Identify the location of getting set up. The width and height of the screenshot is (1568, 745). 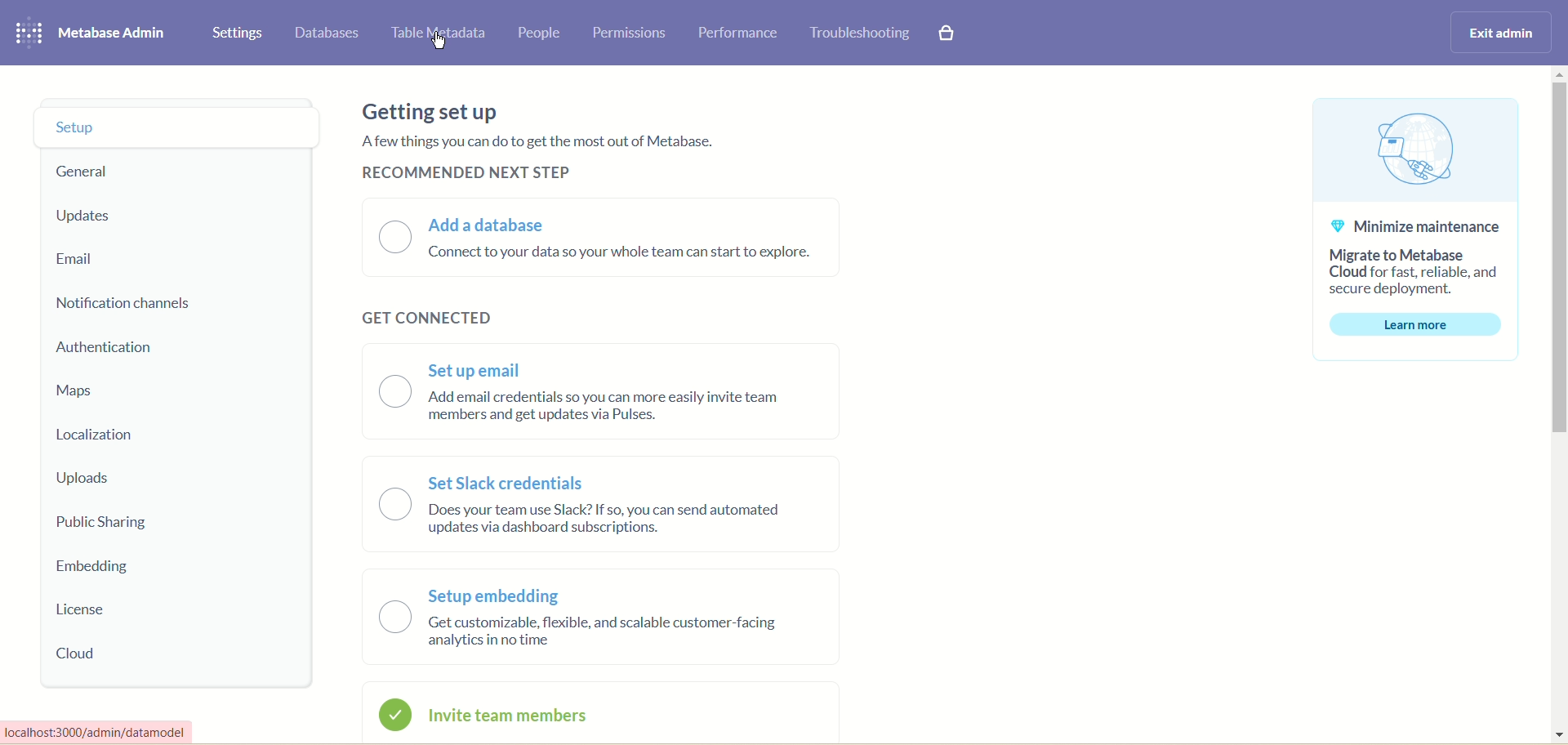
(437, 109).